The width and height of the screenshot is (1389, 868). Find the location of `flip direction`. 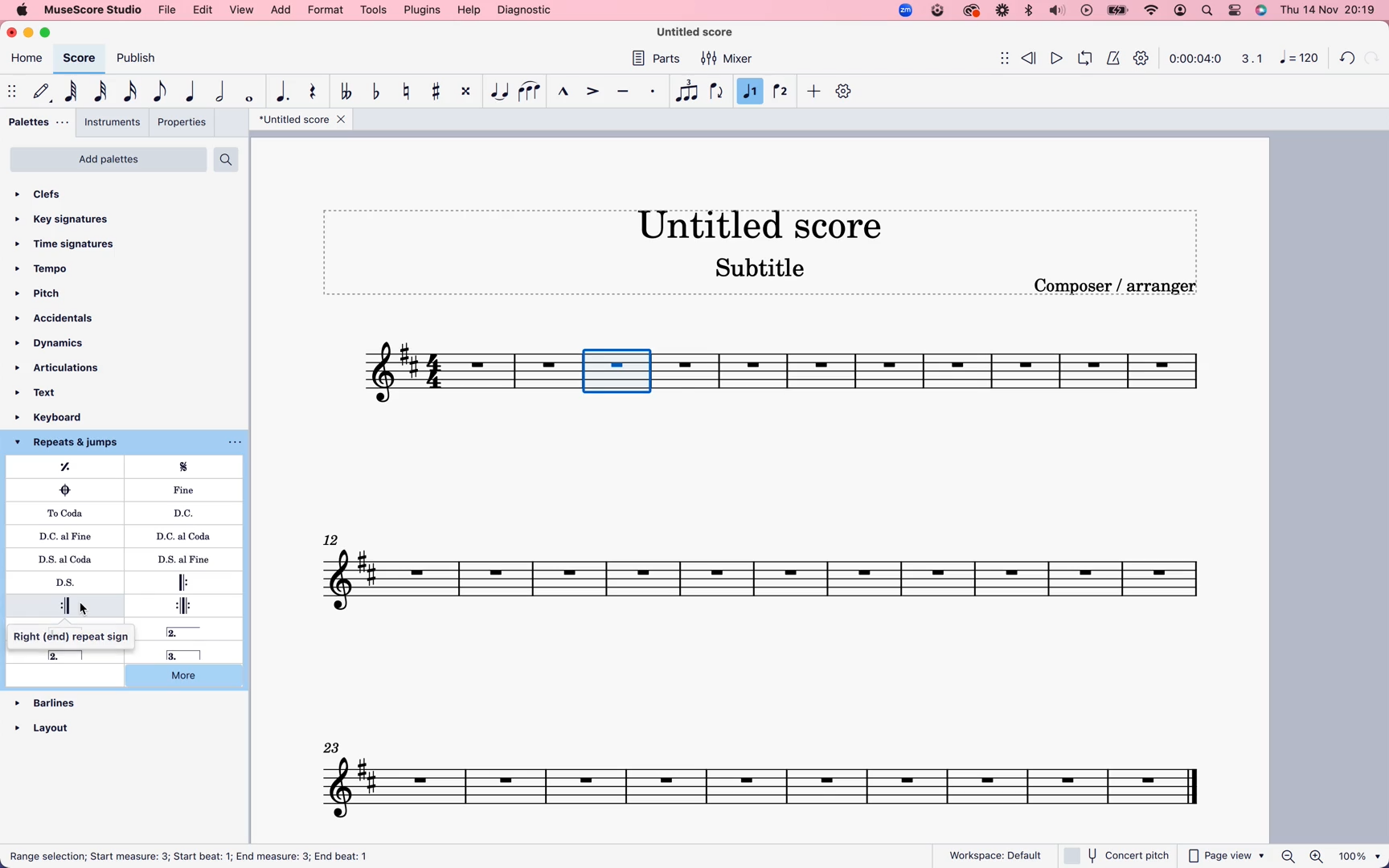

flip direction is located at coordinates (717, 91).